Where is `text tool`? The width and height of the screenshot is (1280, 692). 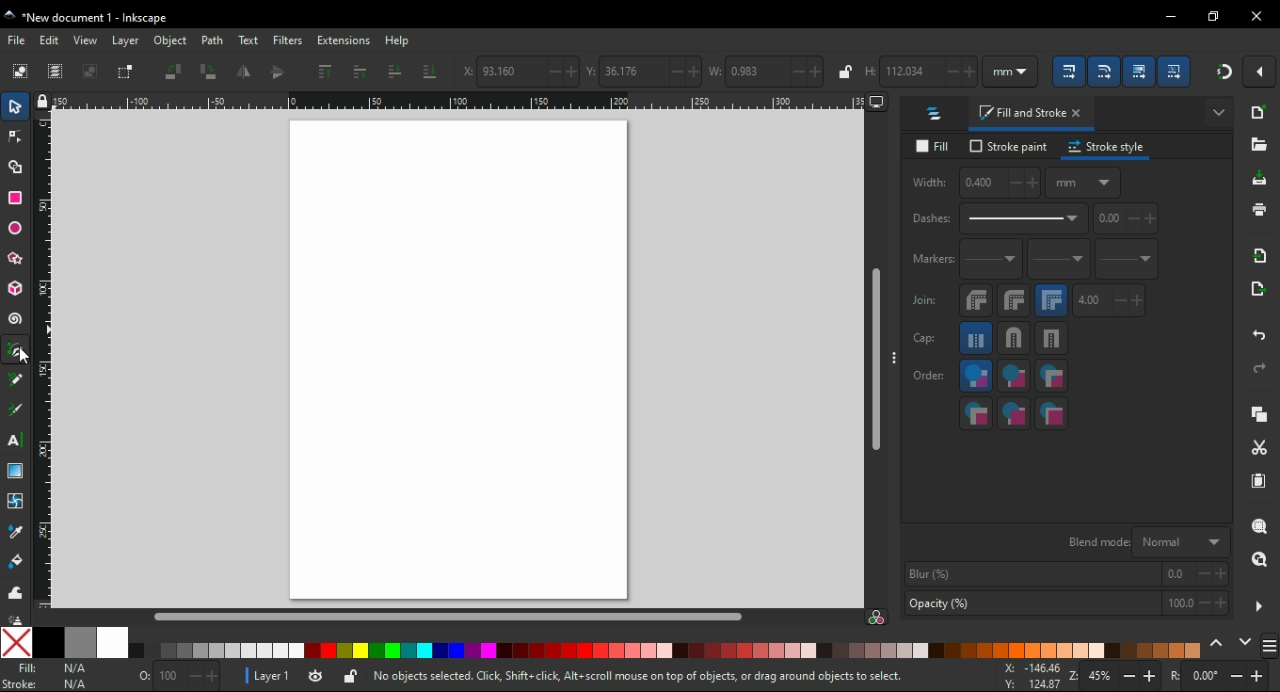
text tool is located at coordinates (15, 440).